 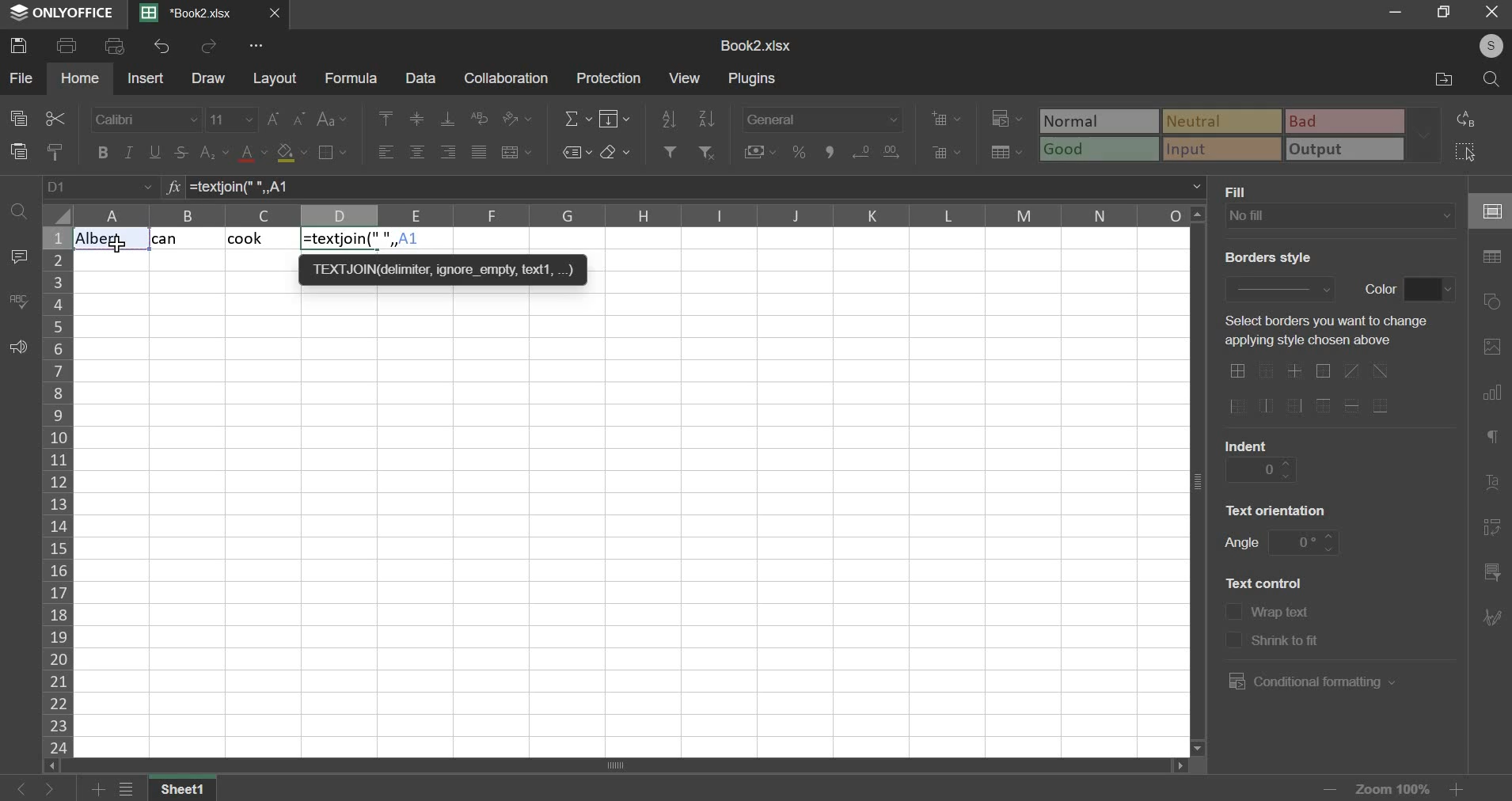 I want to click on text, so click(x=1283, y=614).